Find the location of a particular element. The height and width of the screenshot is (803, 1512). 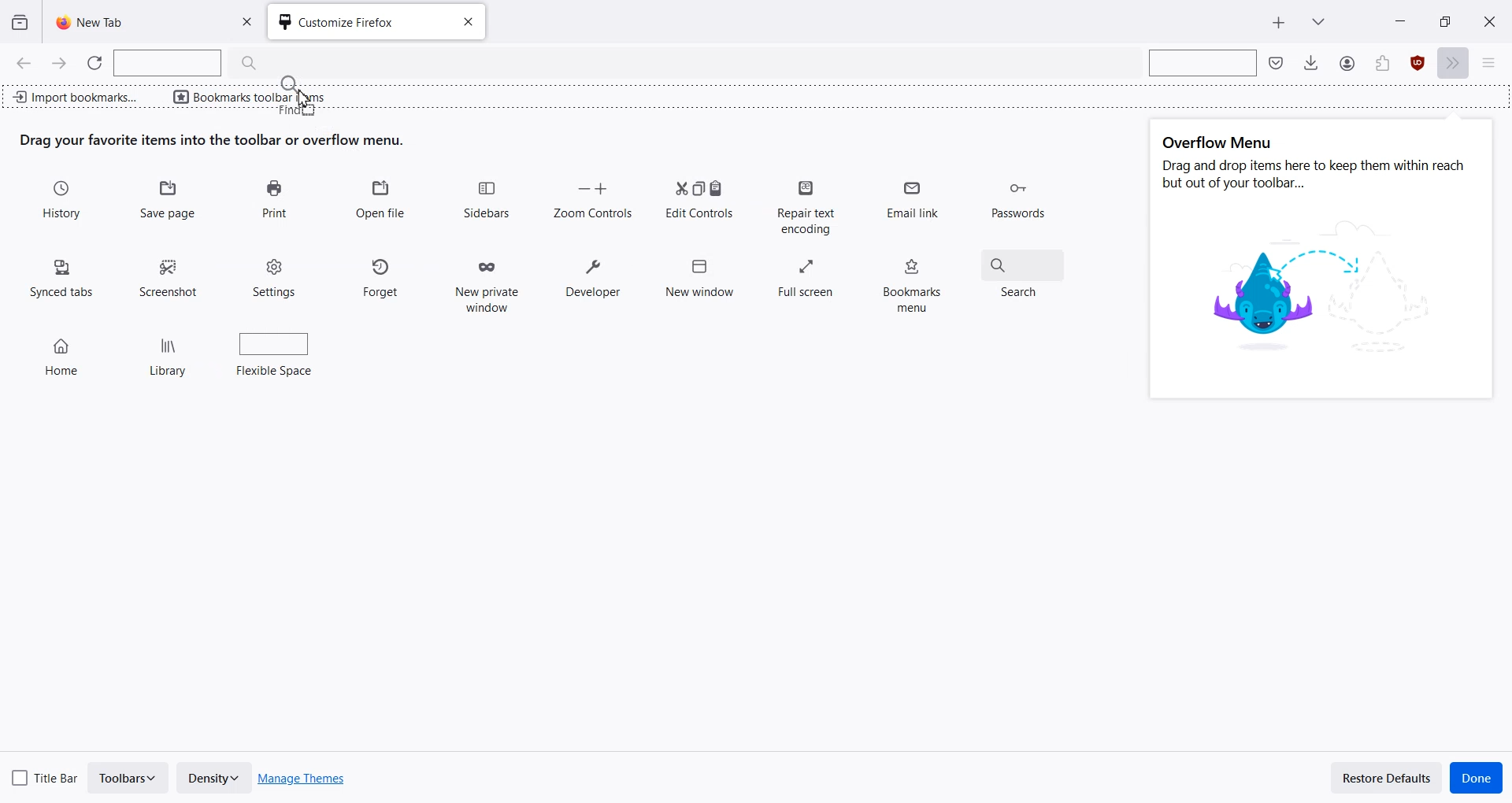

New private window is located at coordinates (485, 281).